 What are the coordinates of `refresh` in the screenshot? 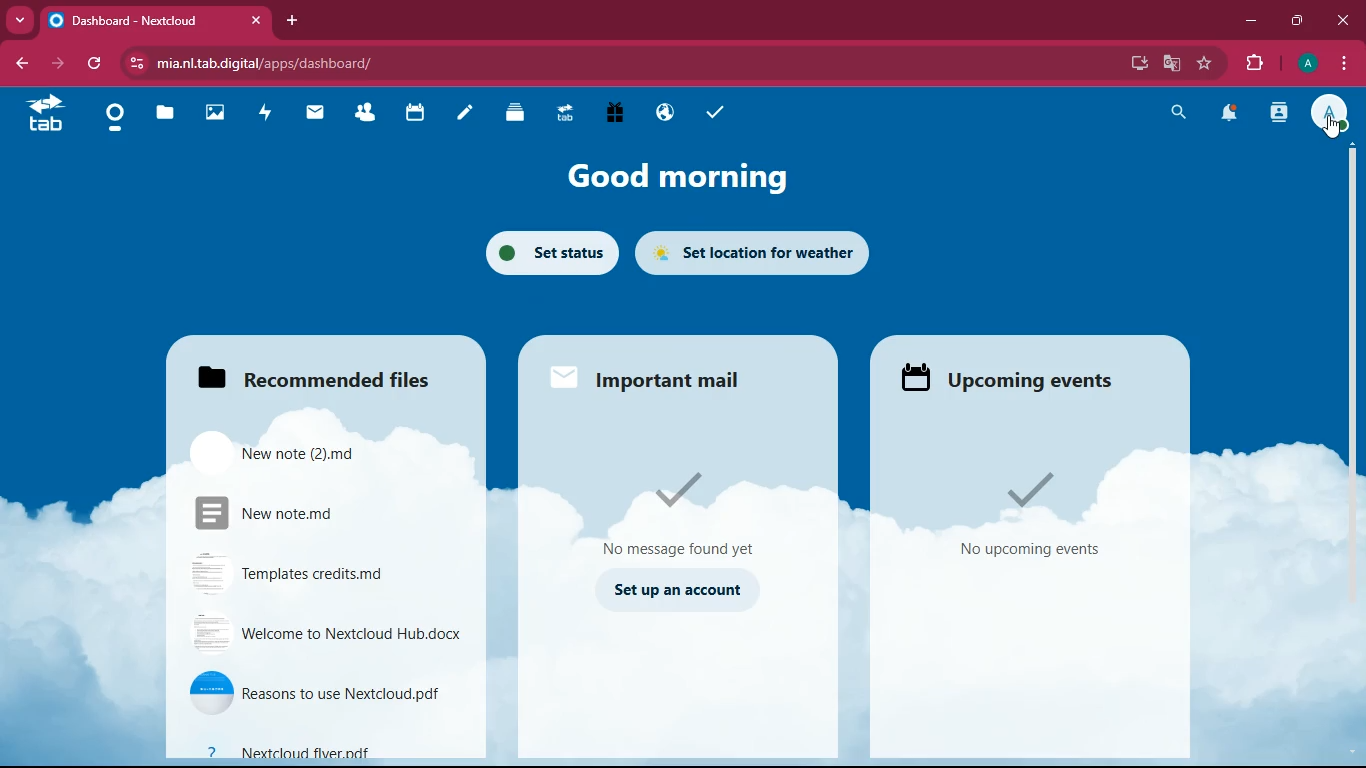 It's located at (100, 64).